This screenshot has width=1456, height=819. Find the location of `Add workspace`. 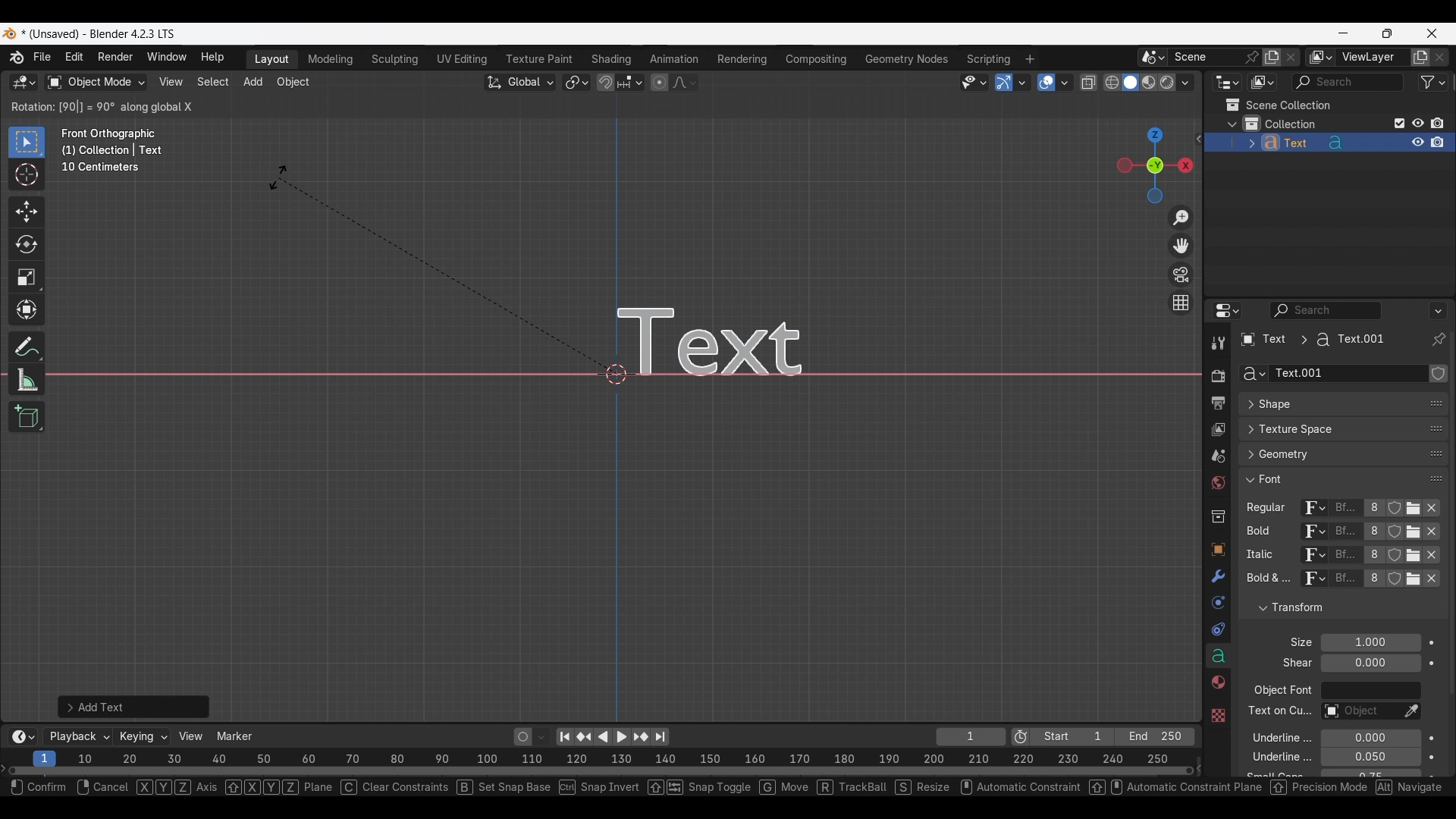

Add workspace is located at coordinates (1029, 59).